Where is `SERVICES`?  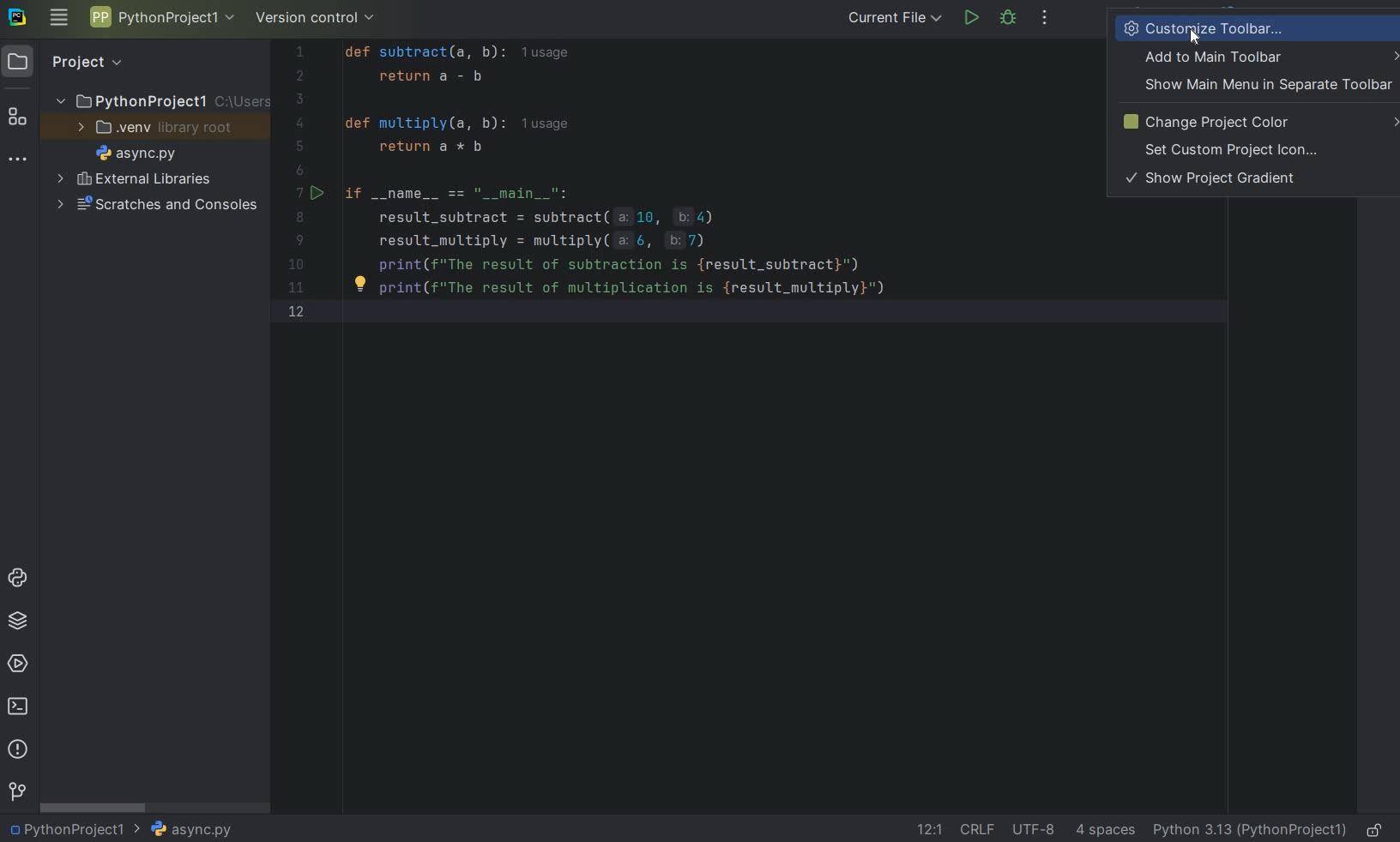
SERVICES is located at coordinates (18, 665).